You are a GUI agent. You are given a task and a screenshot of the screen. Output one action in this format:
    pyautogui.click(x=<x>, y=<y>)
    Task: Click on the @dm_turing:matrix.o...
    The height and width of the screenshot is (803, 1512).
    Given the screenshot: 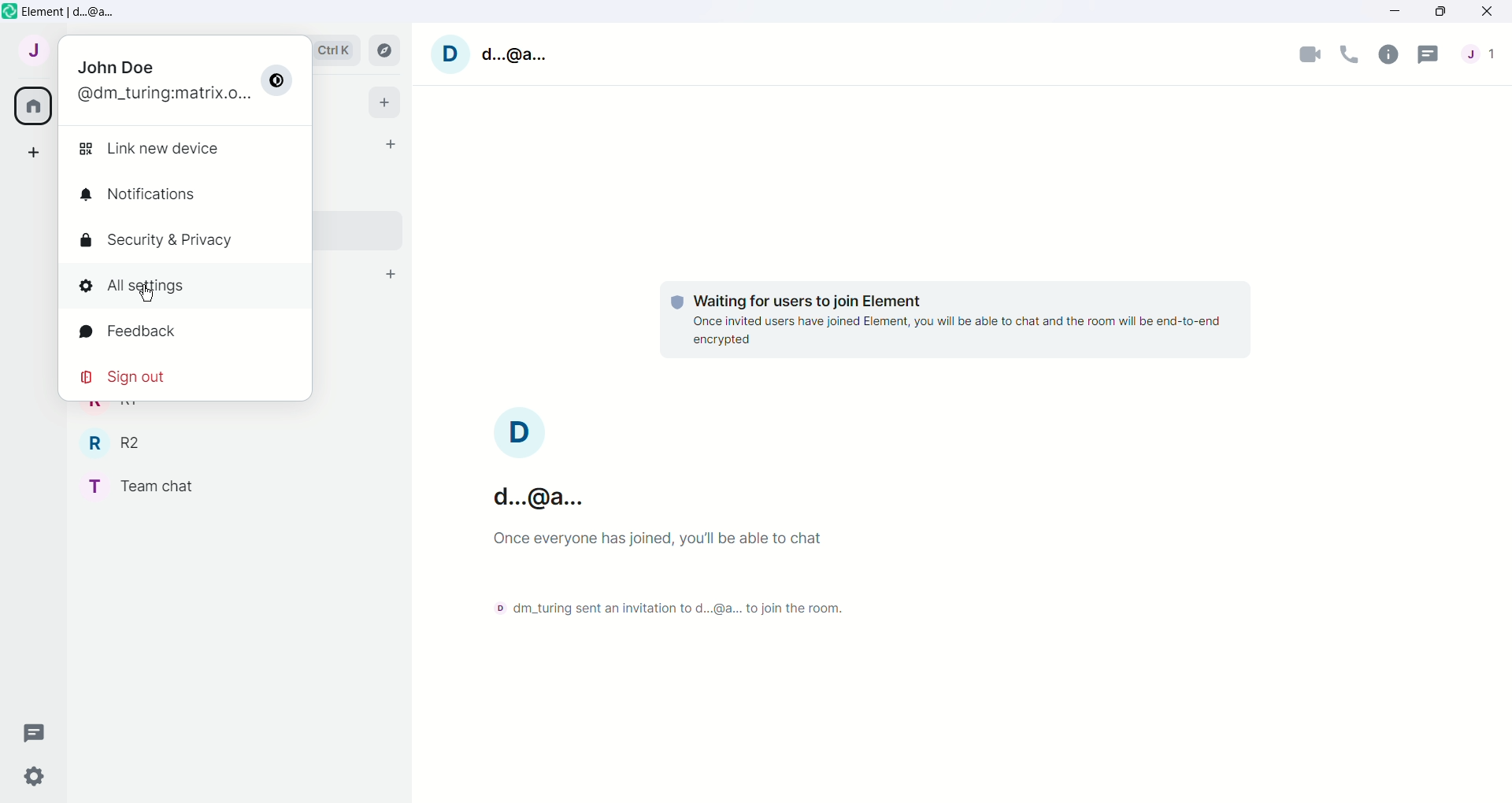 What is the action you would take?
    pyautogui.click(x=165, y=94)
    